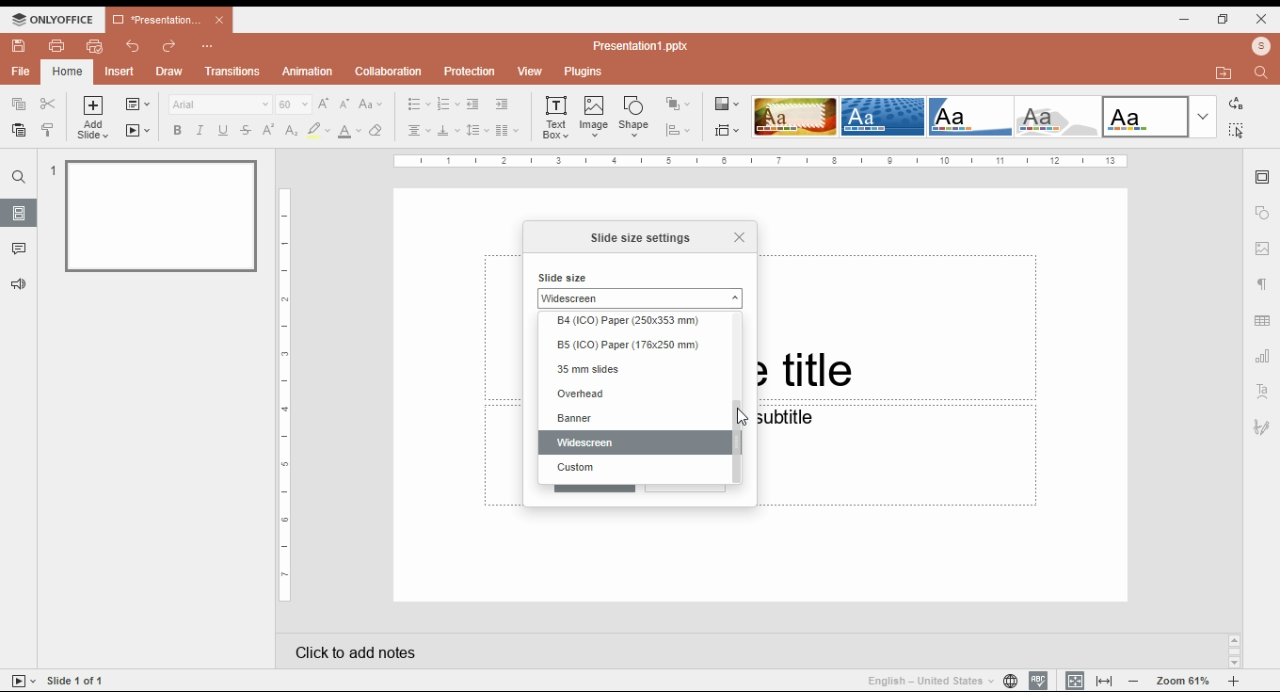  What do you see at coordinates (1234, 681) in the screenshot?
I see `zoom in/zoom out` at bounding box center [1234, 681].